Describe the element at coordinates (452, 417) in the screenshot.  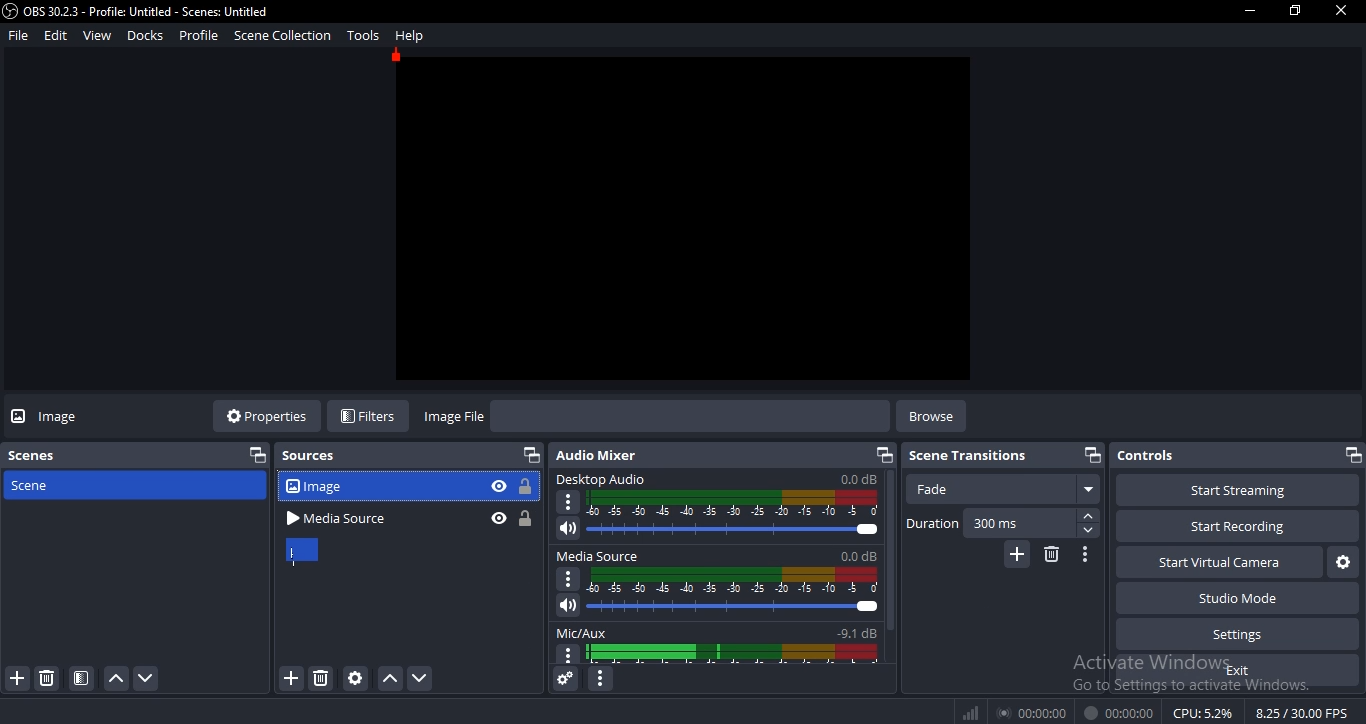
I see `image file` at that location.